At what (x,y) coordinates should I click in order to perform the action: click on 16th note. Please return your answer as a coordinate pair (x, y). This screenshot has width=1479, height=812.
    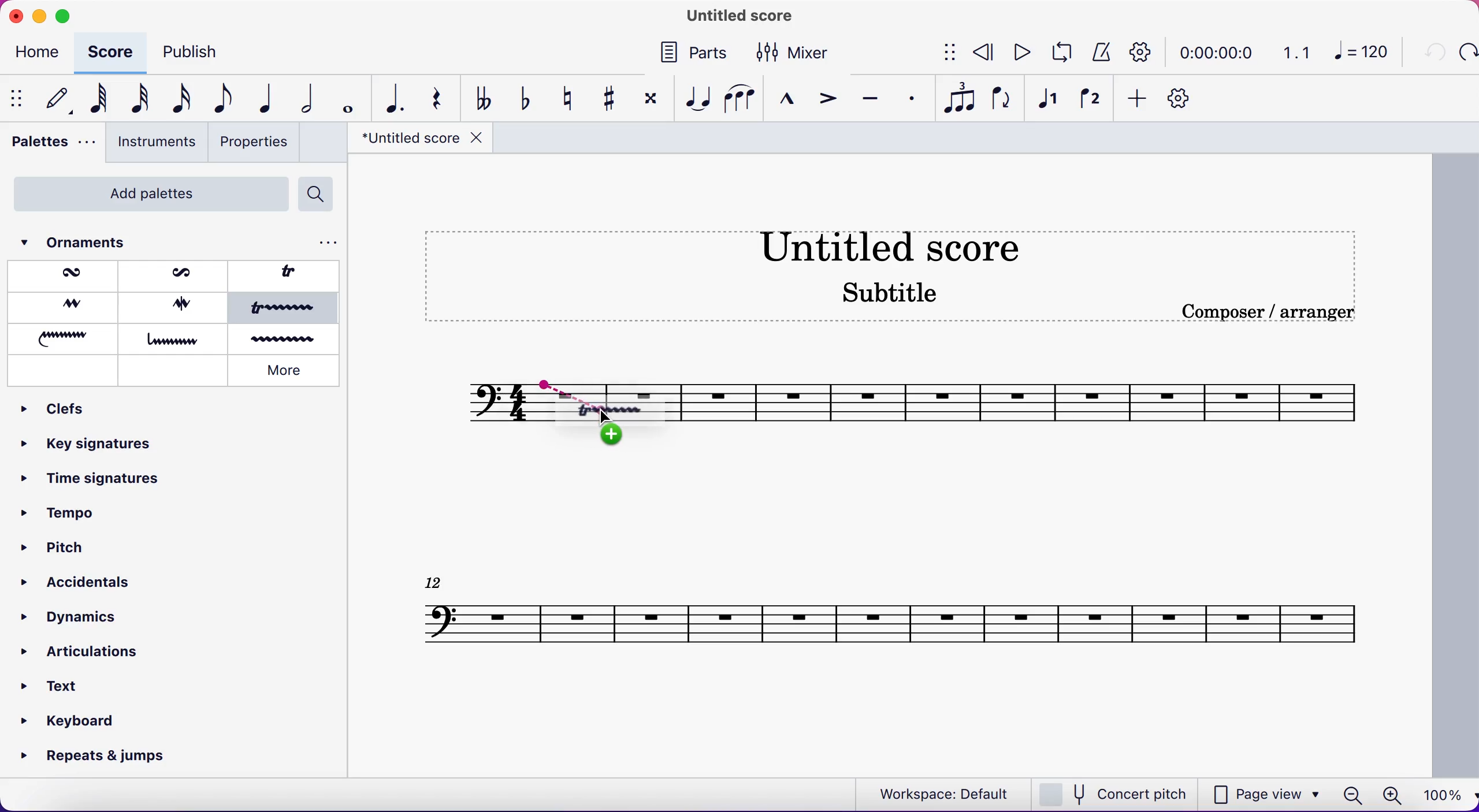
    Looking at the image, I should click on (179, 100).